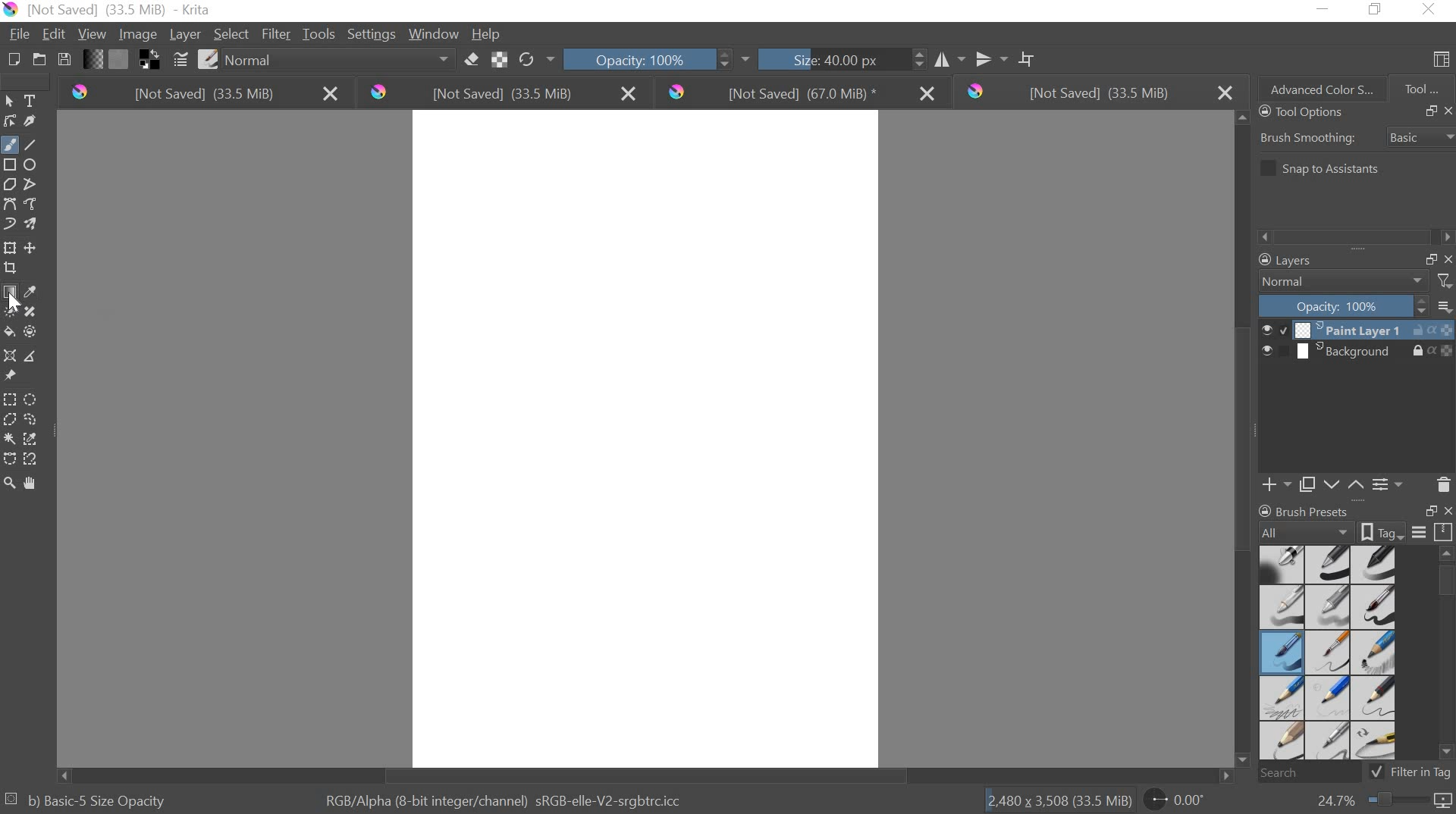  What do you see at coordinates (1357, 330) in the screenshot?
I see `PAINT LAYER` at bounding box center [1357, 330].